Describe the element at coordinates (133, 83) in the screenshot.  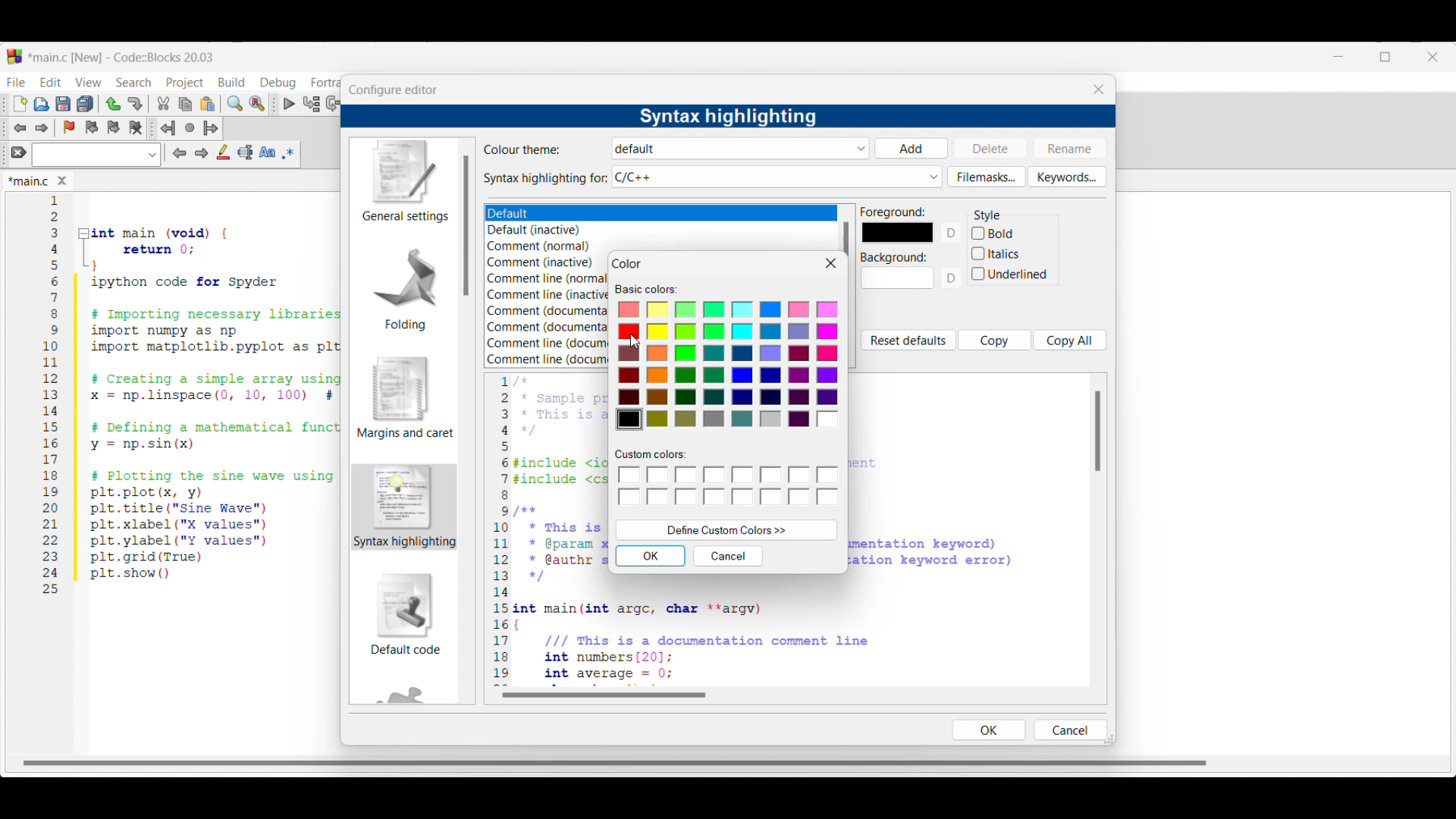
I see `Search menu` at that location.